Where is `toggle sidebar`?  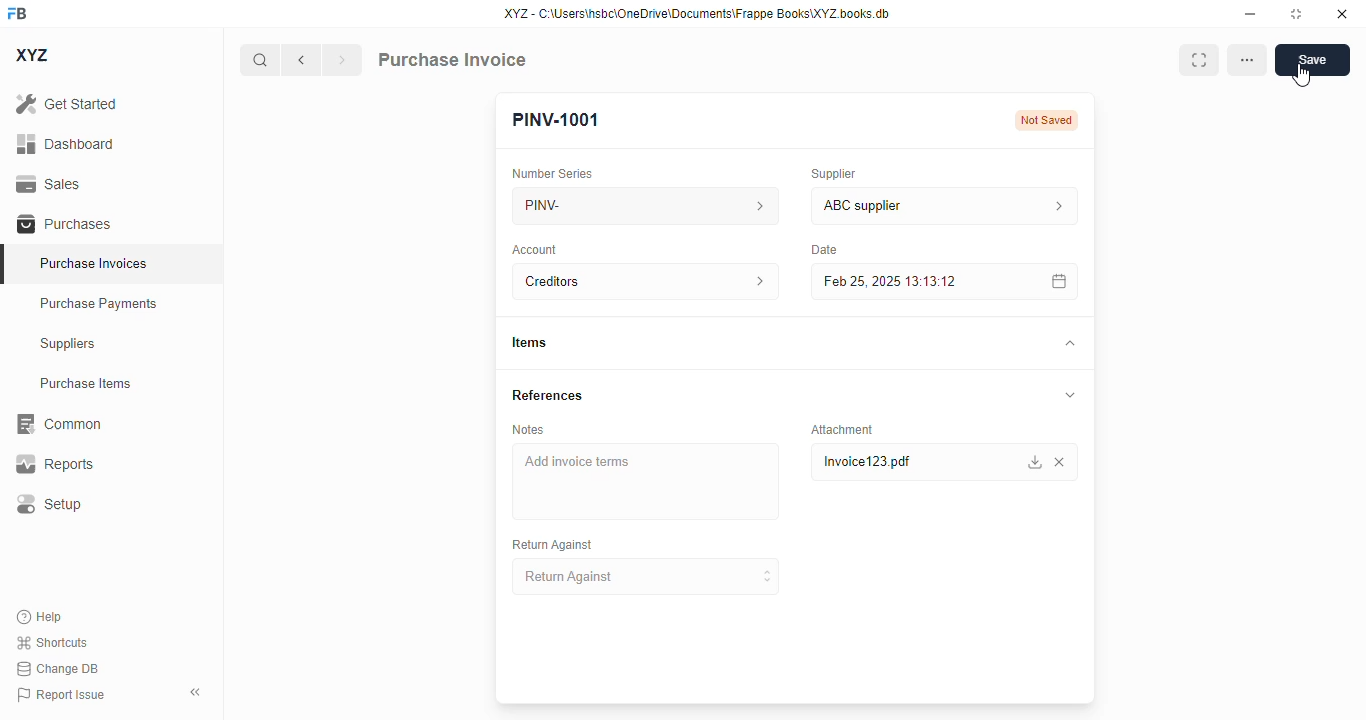 toggle sidebar is located at coordinates (198, 692).